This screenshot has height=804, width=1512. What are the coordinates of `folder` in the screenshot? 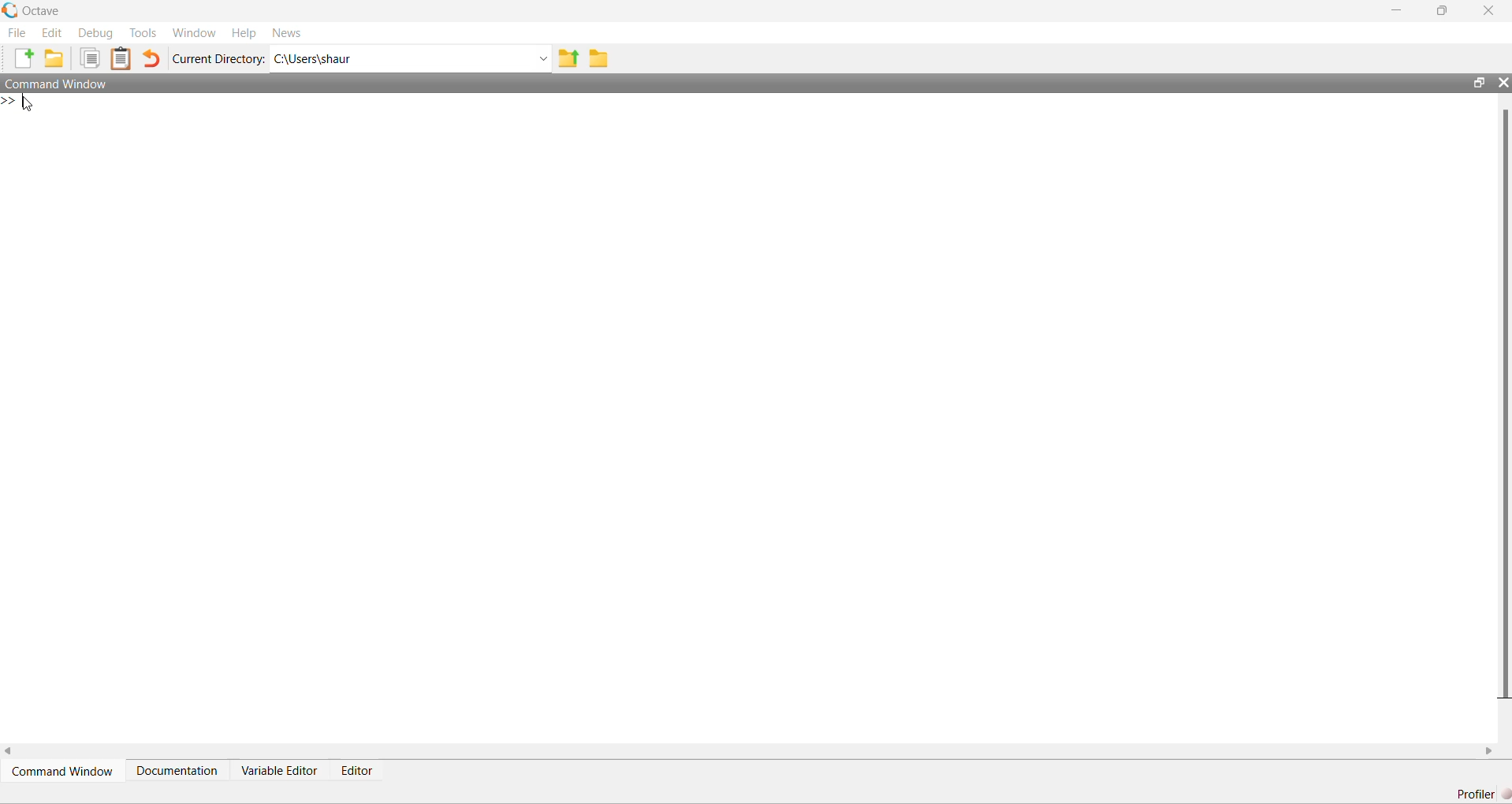 It's located at (598, 59).